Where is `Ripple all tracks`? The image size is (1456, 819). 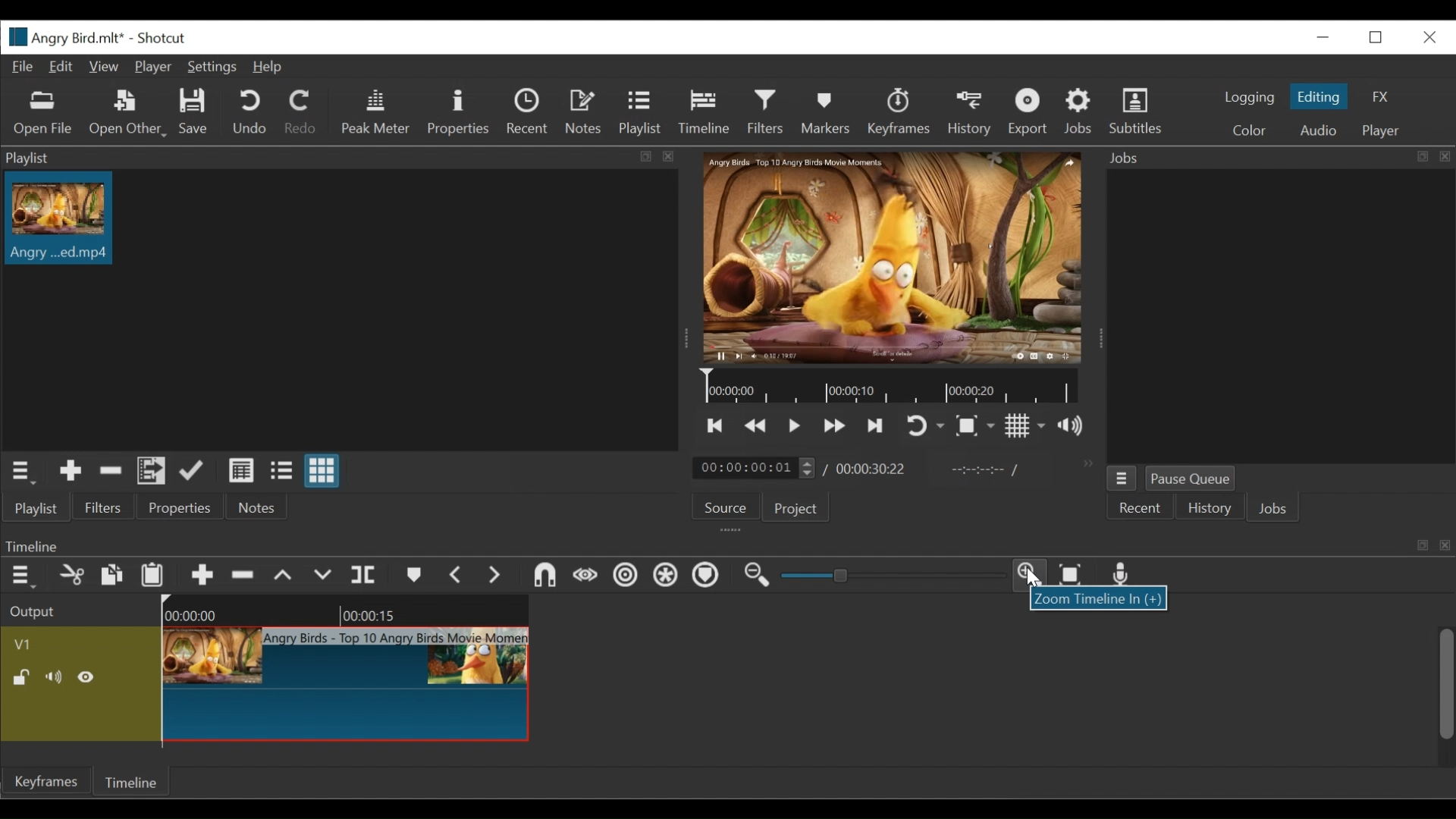 Ripple all tracks is located at coordinates (667, 576).